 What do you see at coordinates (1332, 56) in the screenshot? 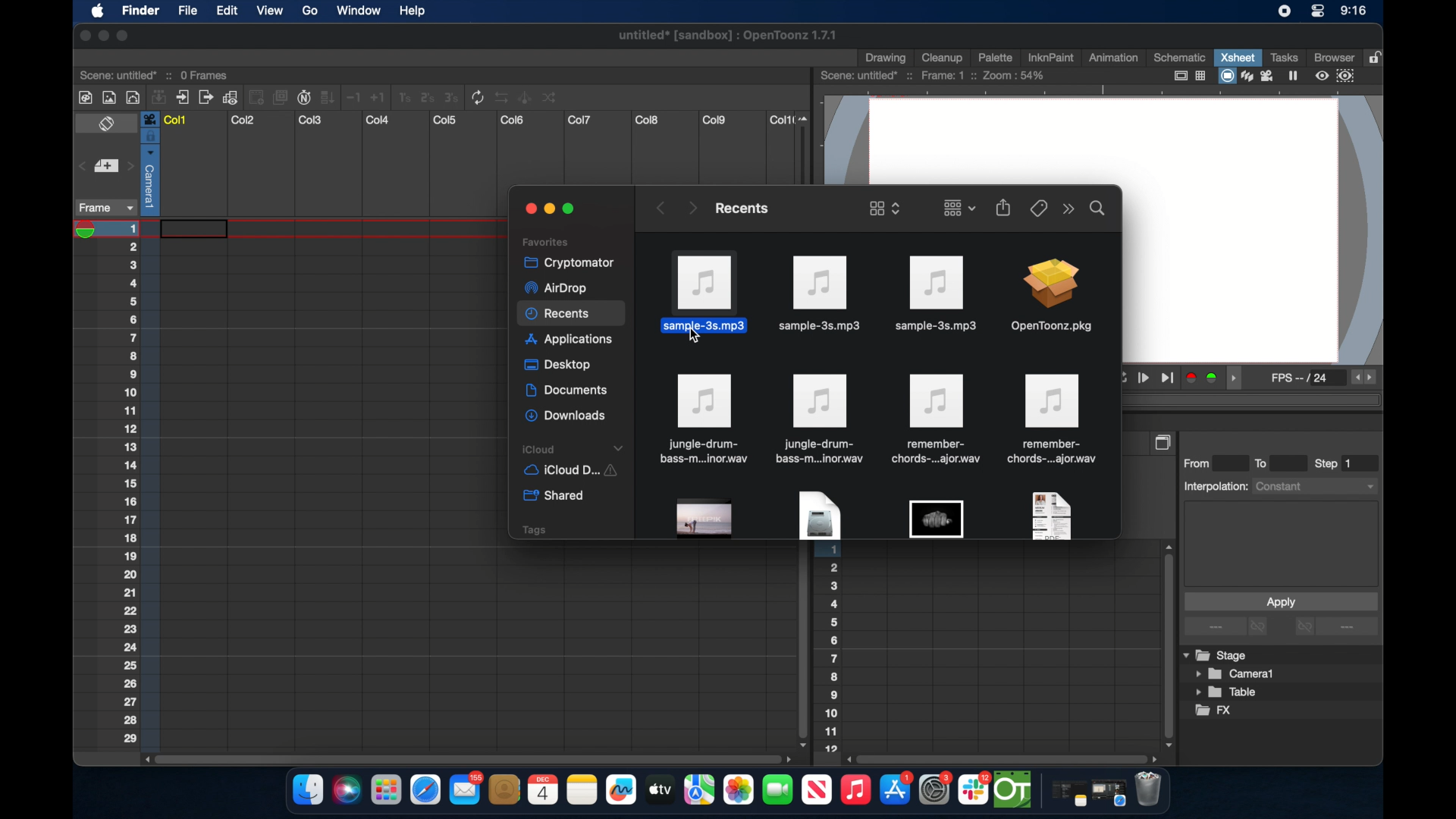
I see `browser` at bounding box center [1332, 56].